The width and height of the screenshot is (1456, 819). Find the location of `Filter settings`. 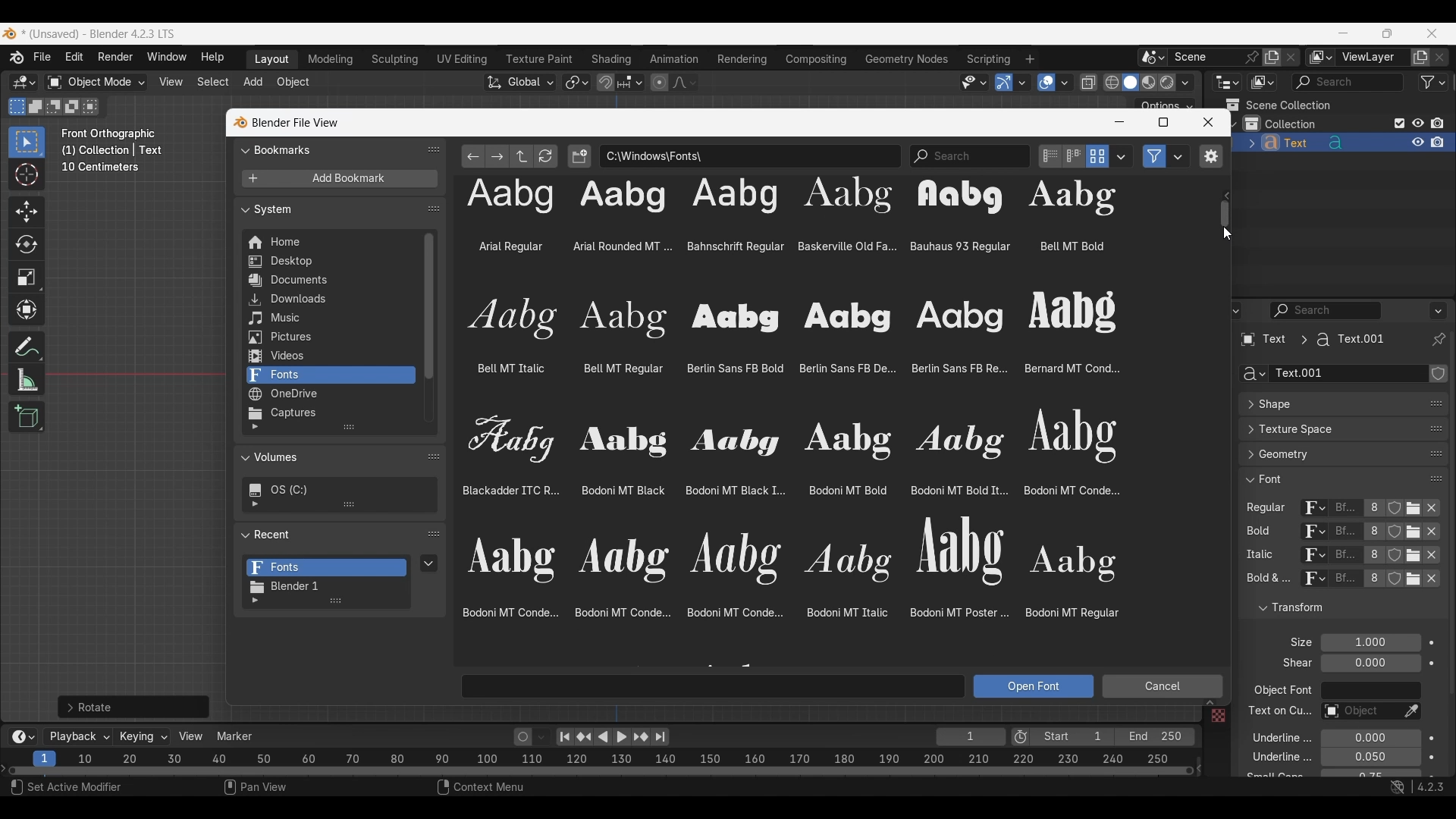

Filter settings is located at coordinates (1178, 156).